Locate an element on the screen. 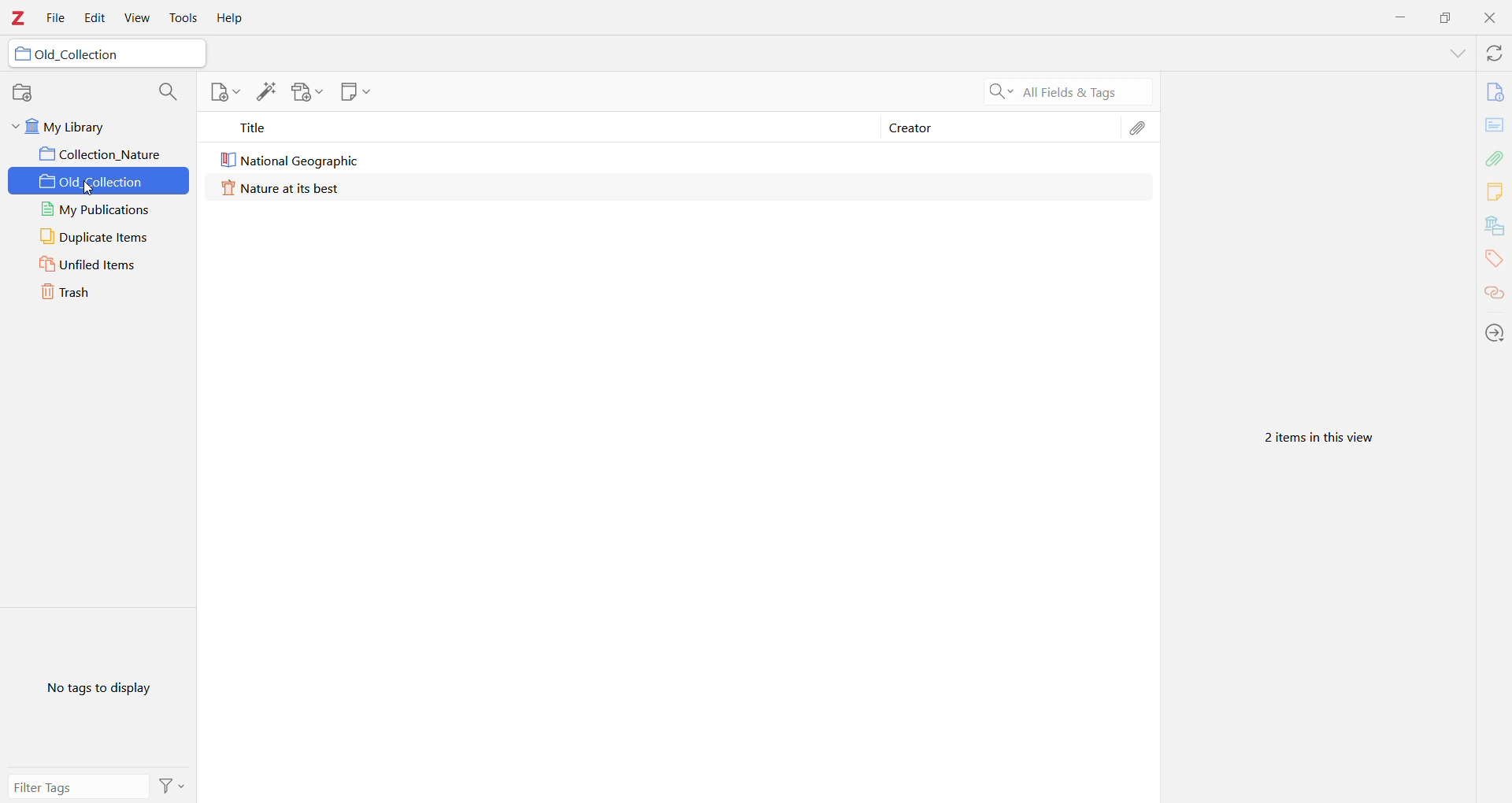 This screenshot has width=1512, height=803. folder icon is located at coordinates (20, 55).